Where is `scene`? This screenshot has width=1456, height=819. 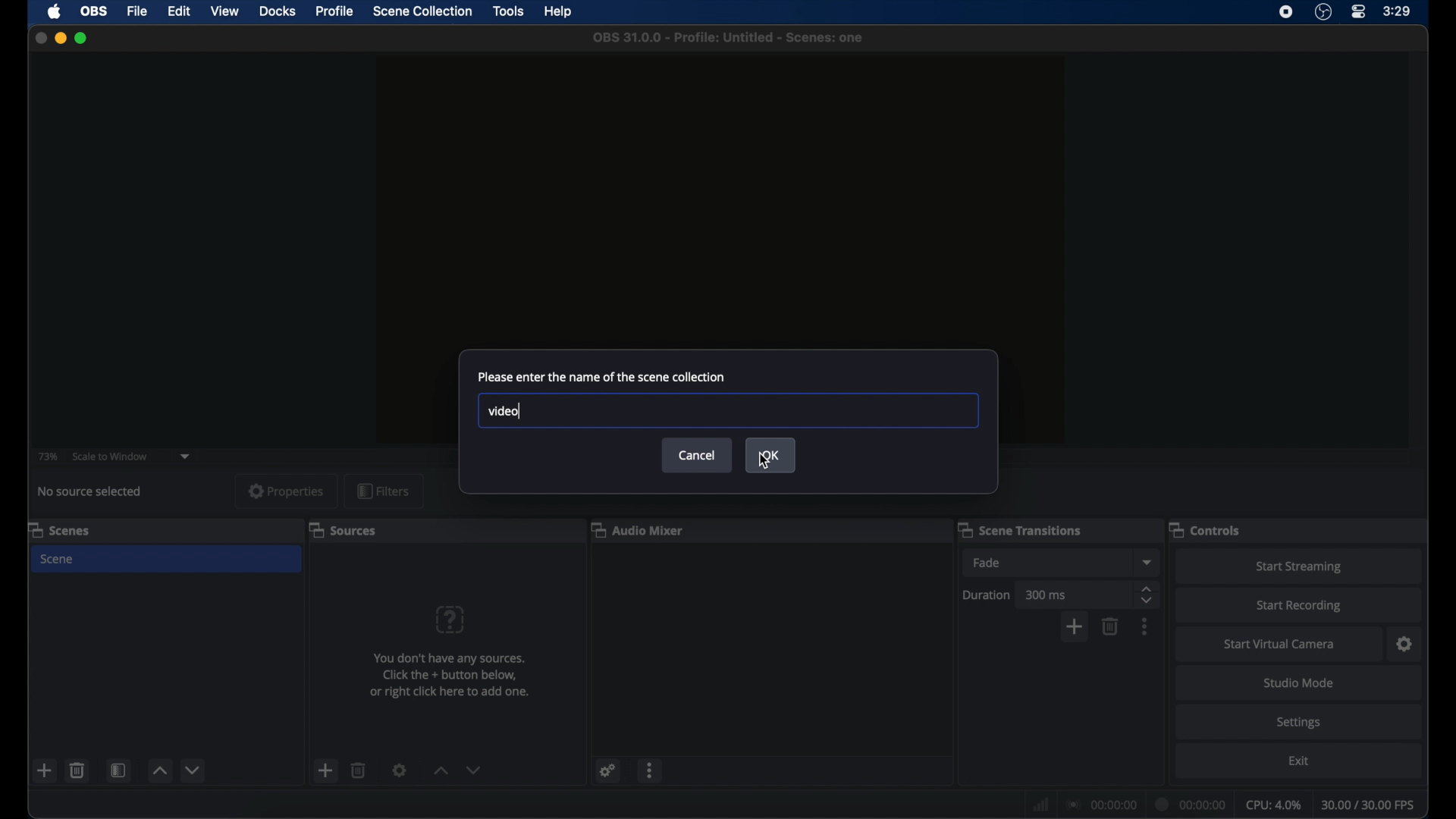
scene is located at coordinates (58, 559).